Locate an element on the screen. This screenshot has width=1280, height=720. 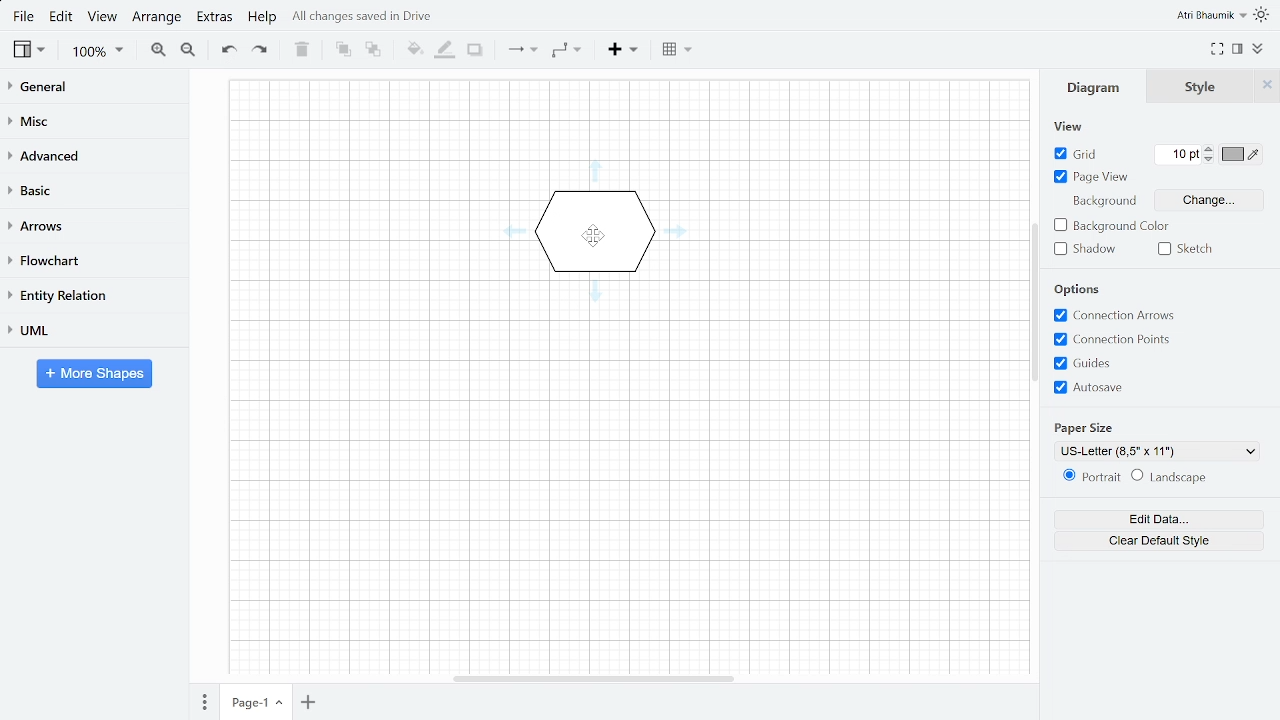
Fill colour is located at coordinates (414, 50).